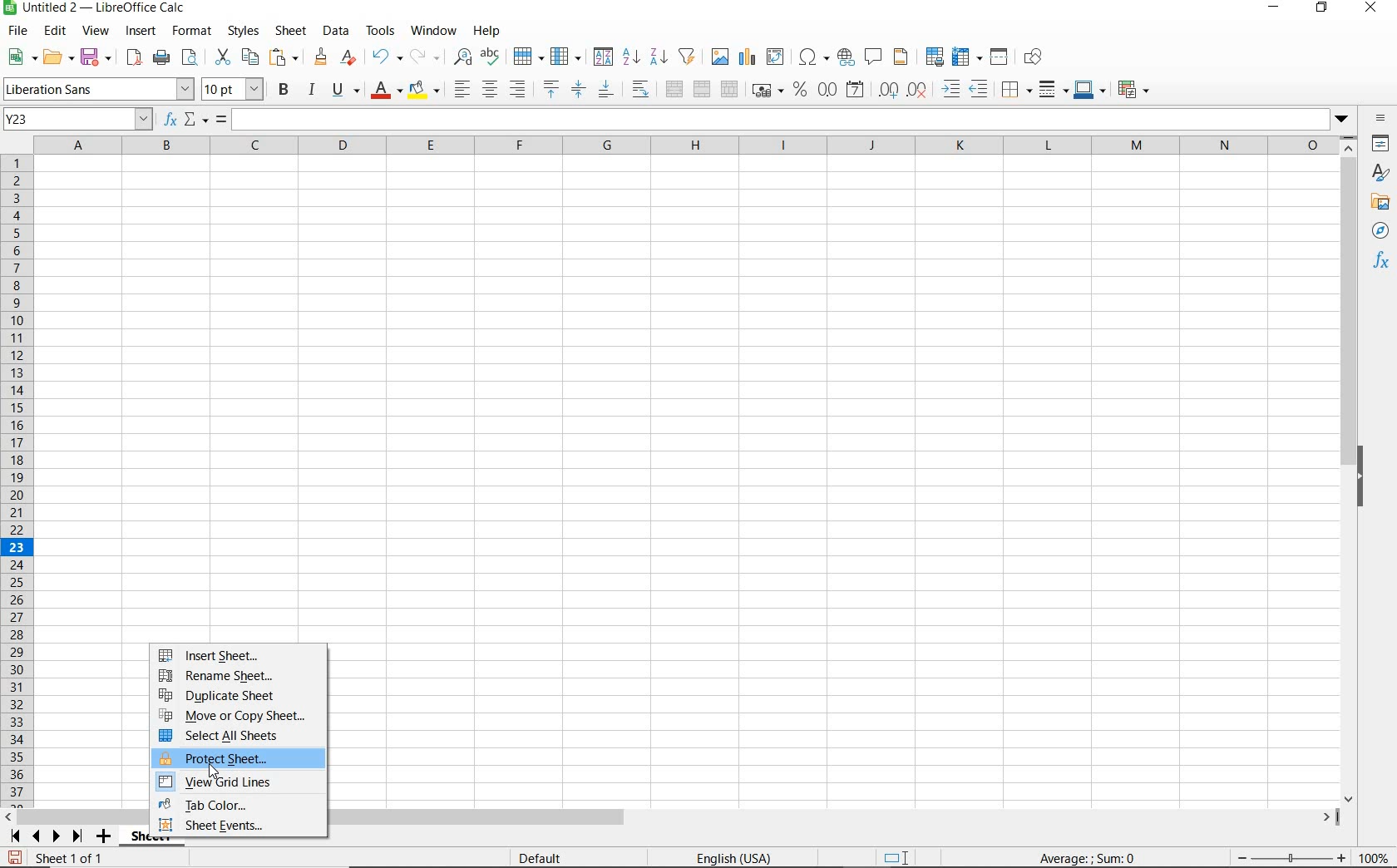  Describe the element at coordinates (846, 57) in the screenshot. I see `INSERT HYPERLINK` at that location.